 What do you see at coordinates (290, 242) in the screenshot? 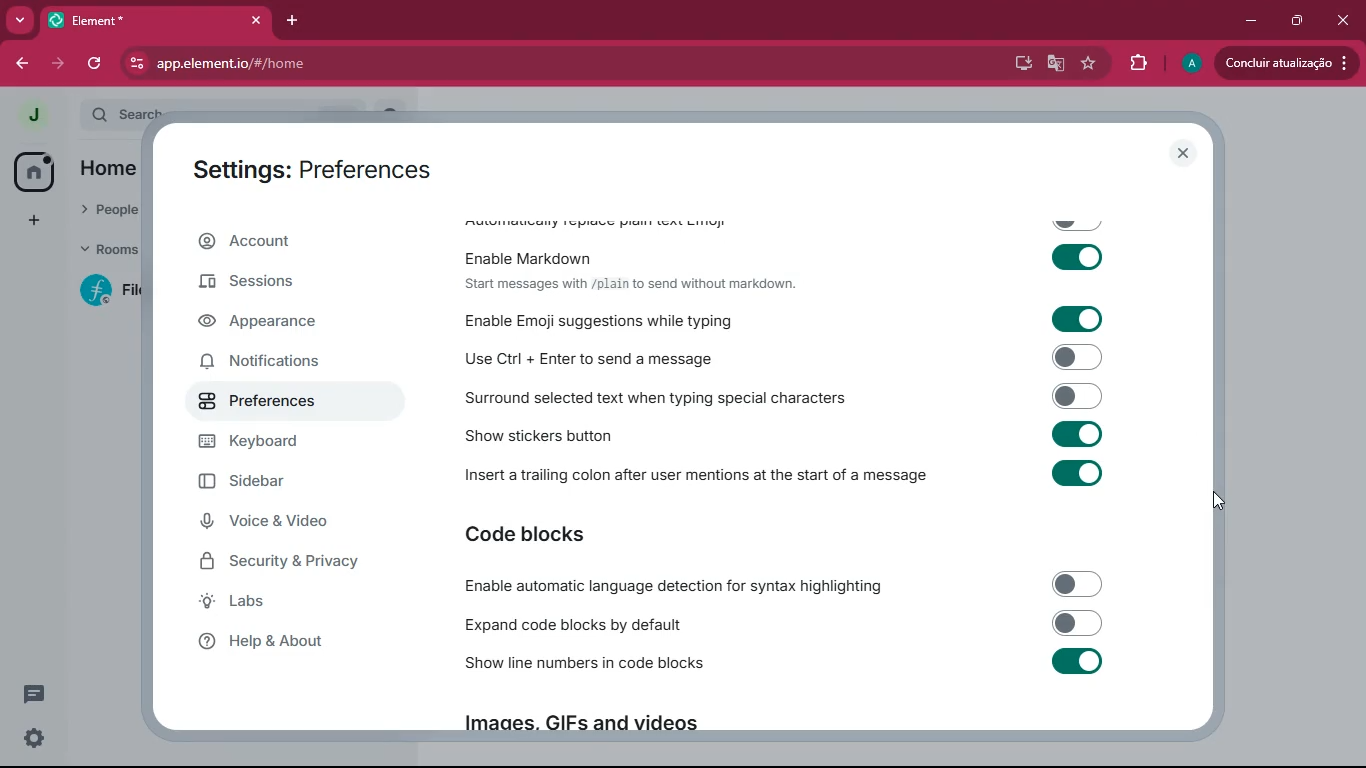
I see `account` at bounding box center [290, 242].